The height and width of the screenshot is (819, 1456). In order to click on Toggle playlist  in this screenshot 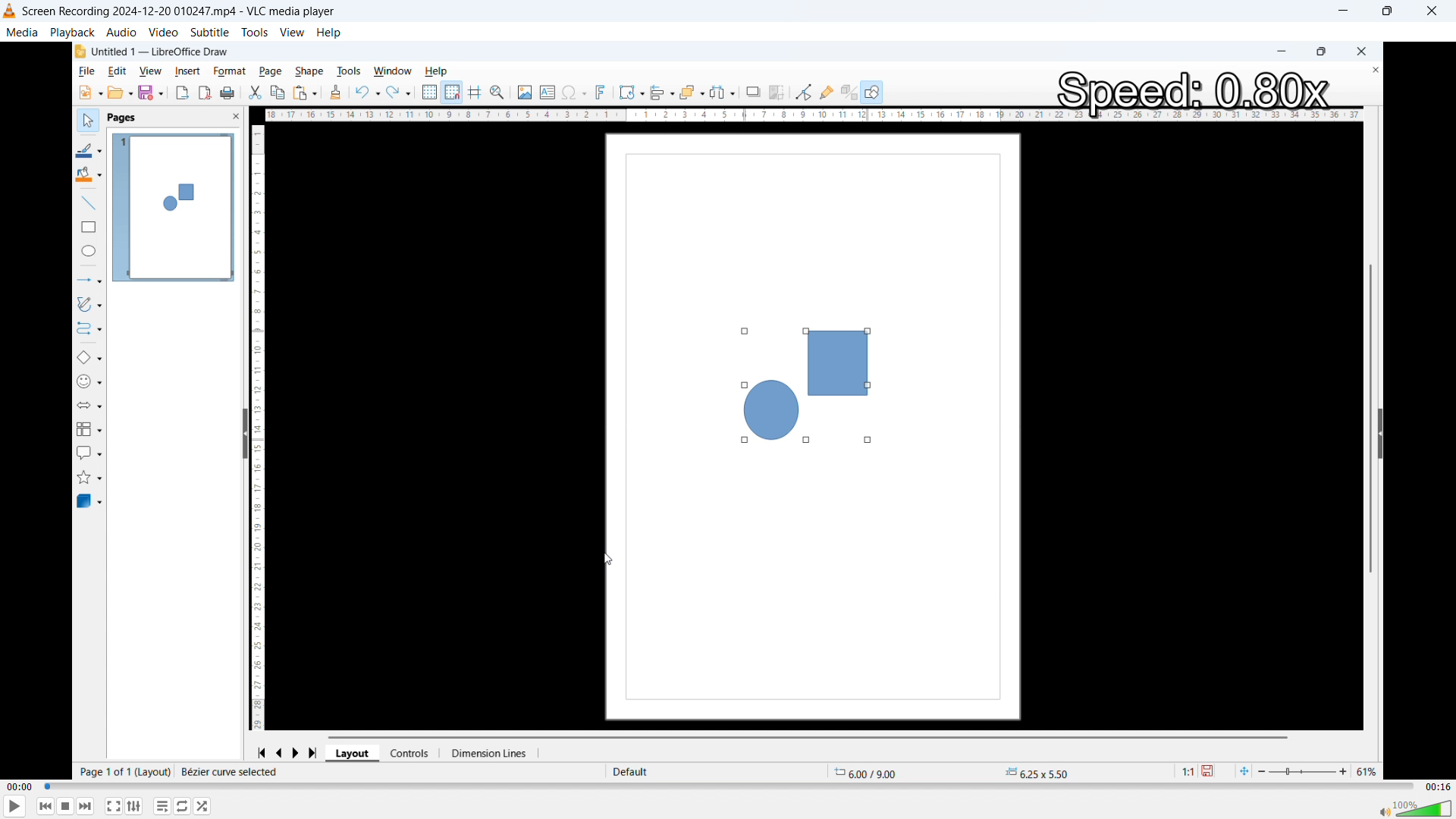, I will do `click(162, 805)`.